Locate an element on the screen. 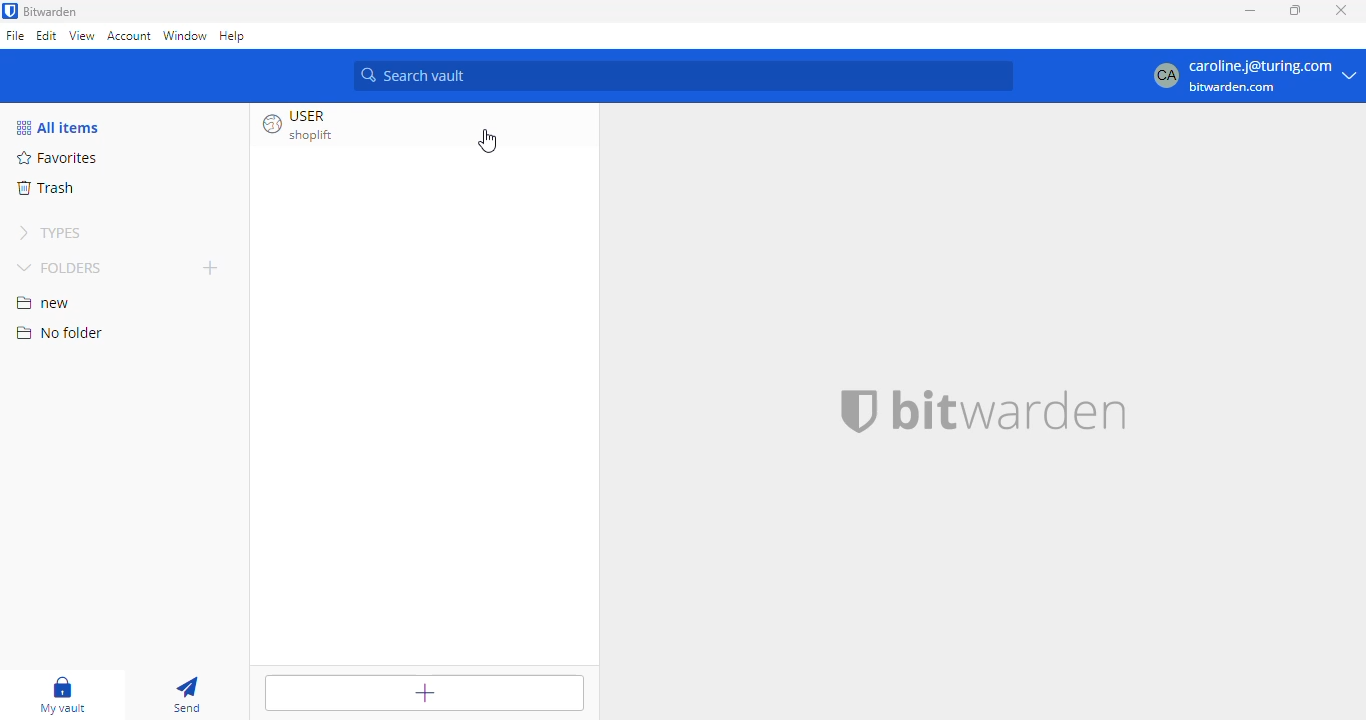  new is located at coordinates (44, 303).